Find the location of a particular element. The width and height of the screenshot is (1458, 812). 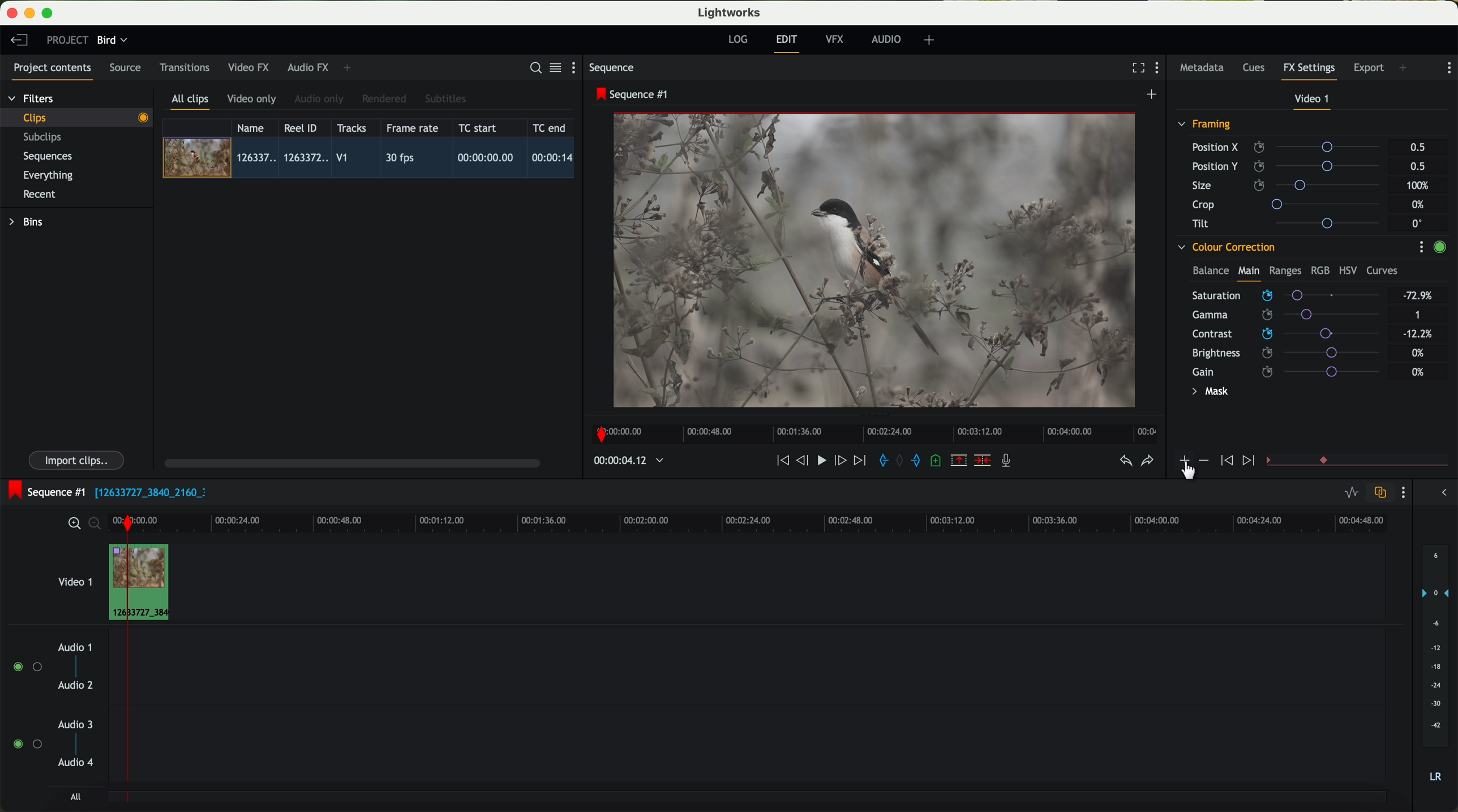

click on add effect is located at coordinates (1188, 466).